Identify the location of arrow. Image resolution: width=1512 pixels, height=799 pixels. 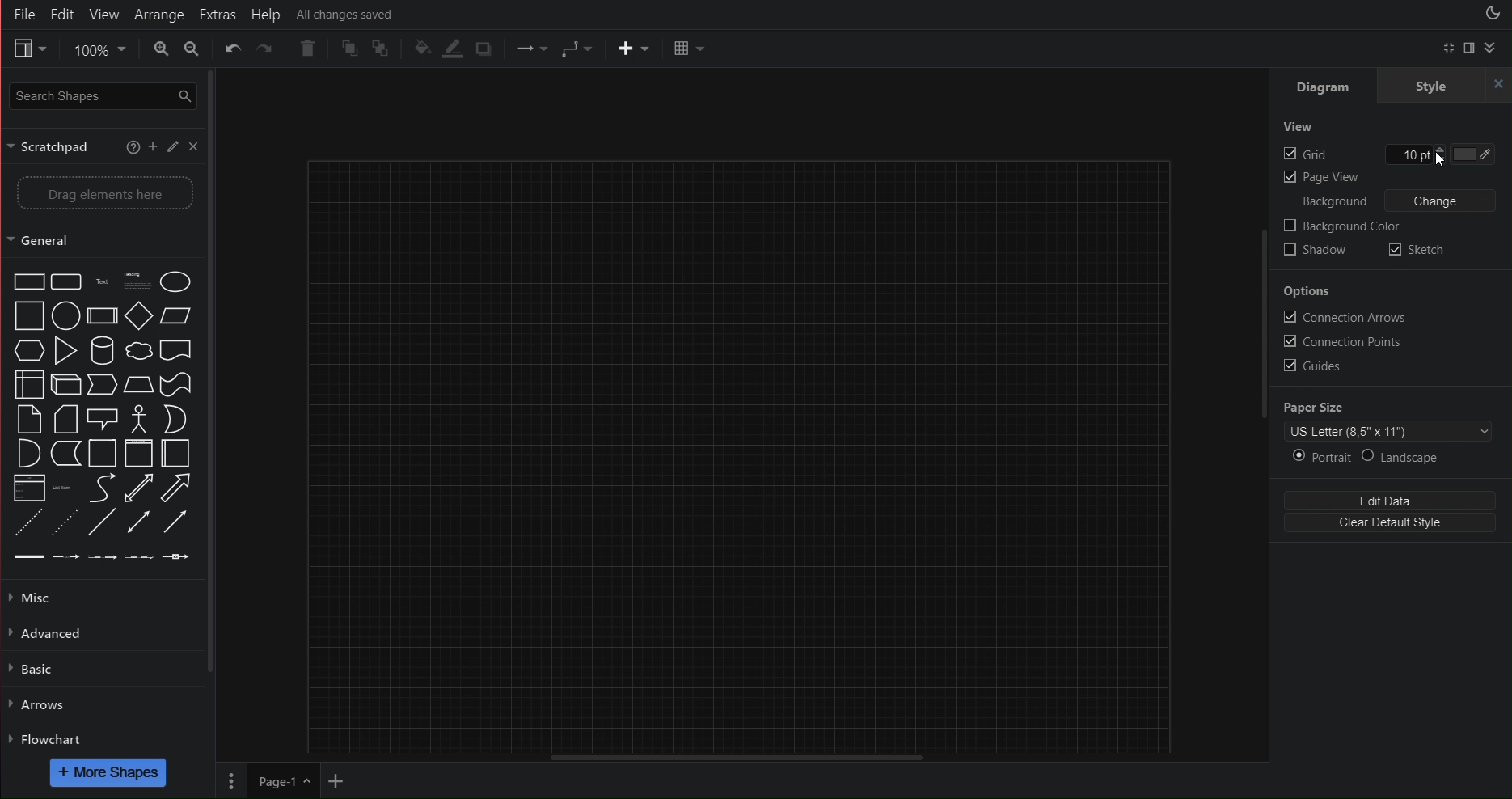
(65, 454).